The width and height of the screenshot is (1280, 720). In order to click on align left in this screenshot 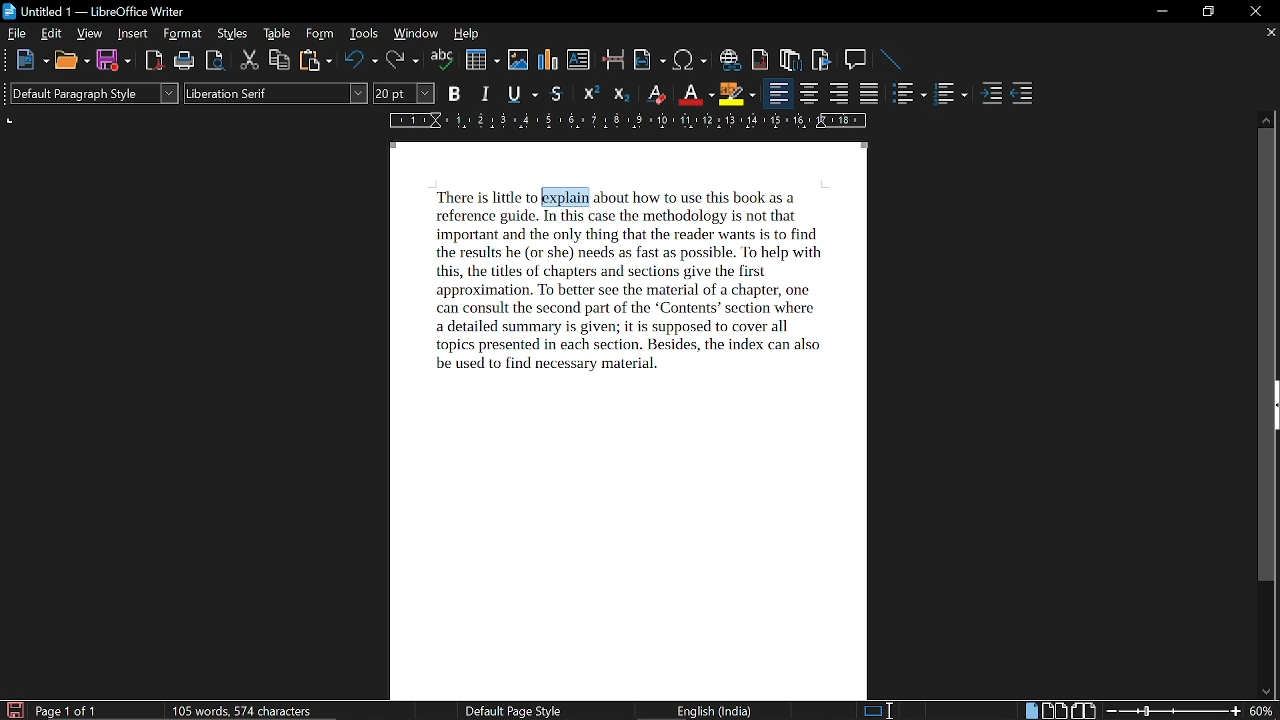, I will do `click(776, 93)`.